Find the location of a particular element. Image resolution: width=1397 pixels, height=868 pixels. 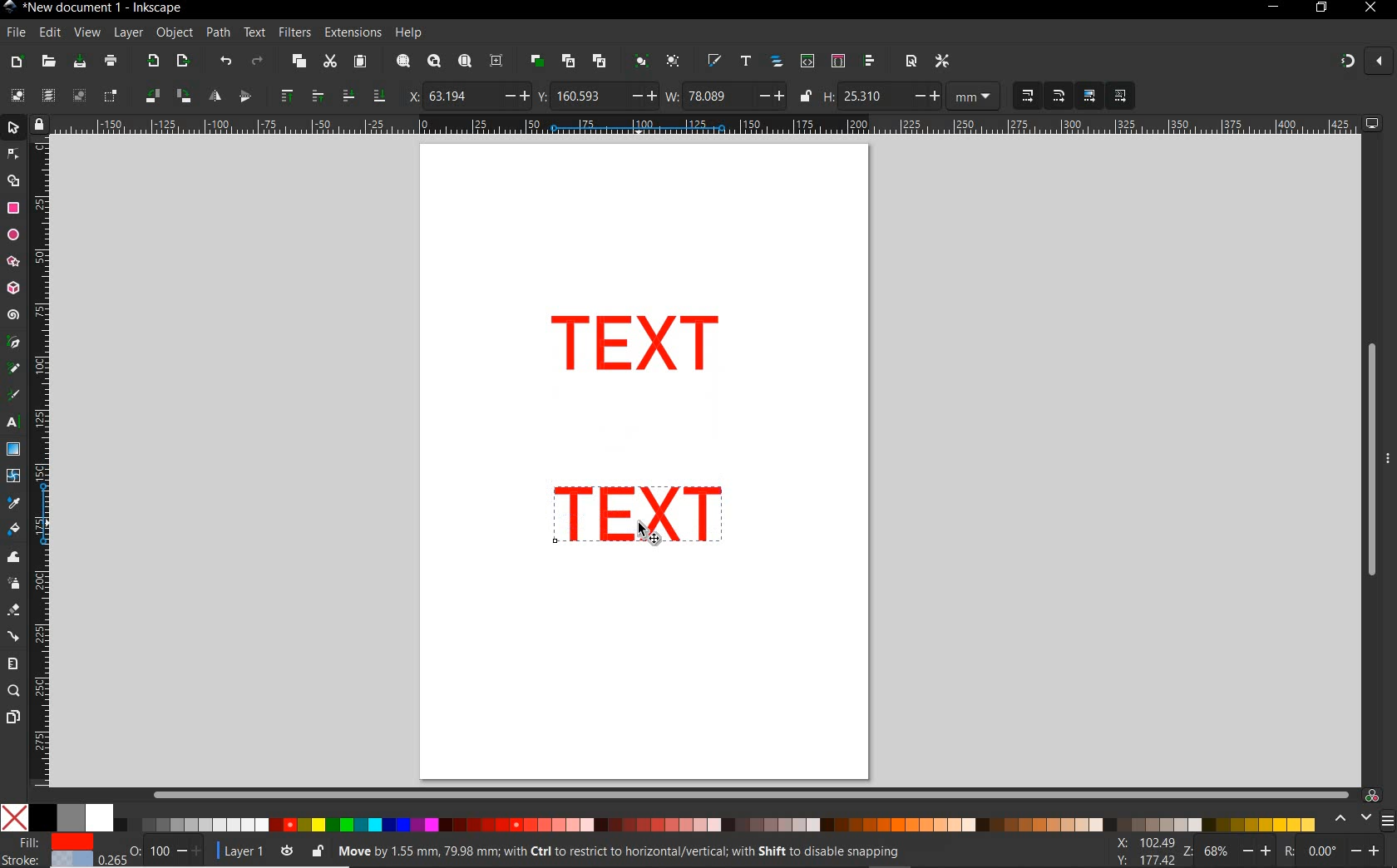

color palette is located at coordinates (659, 819).